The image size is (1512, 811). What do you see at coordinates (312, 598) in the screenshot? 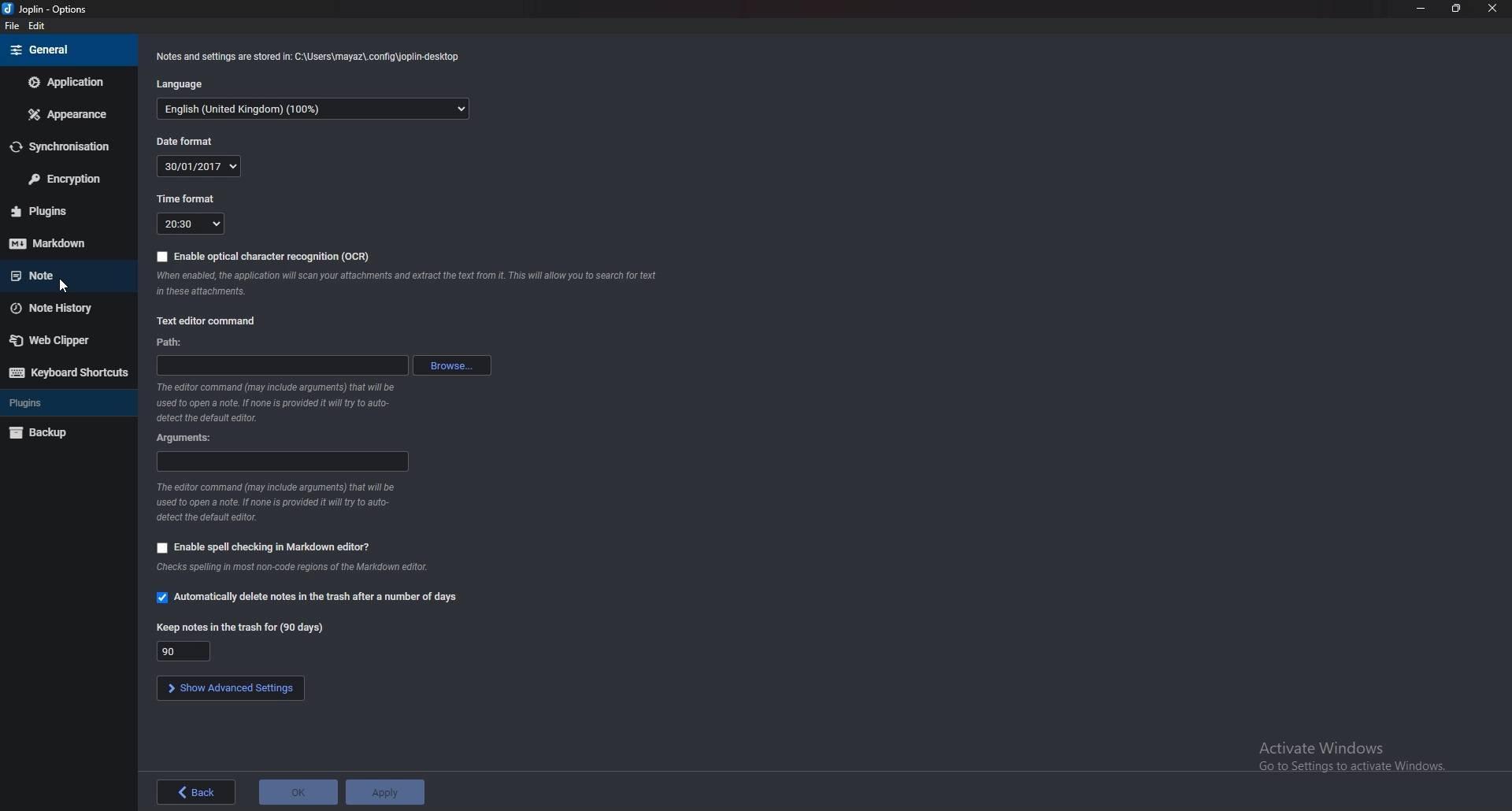
I see `Automatically delete notes` at bounding box center [312, 598].